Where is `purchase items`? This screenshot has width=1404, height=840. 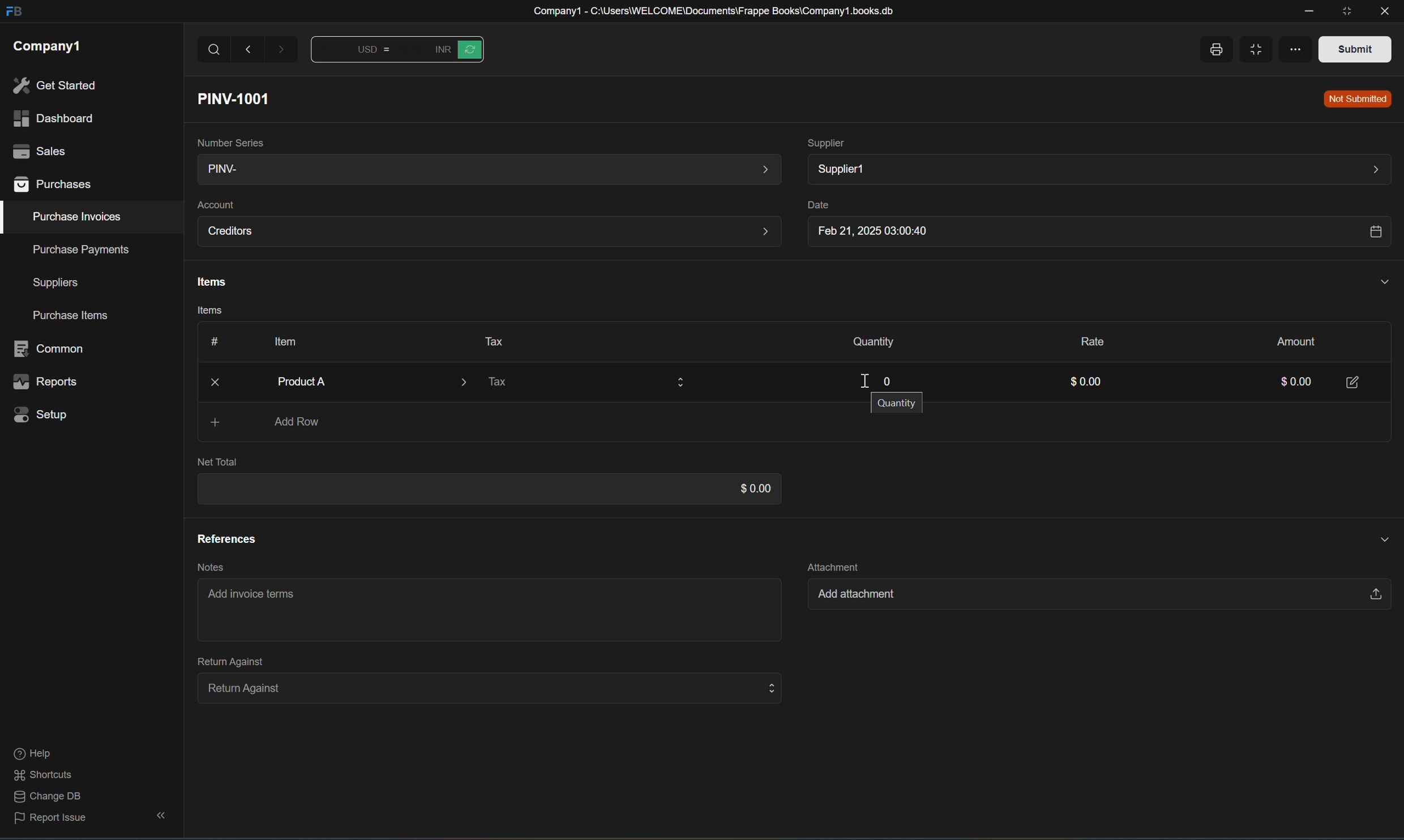
purchase items is located at coordinates (73, 316).